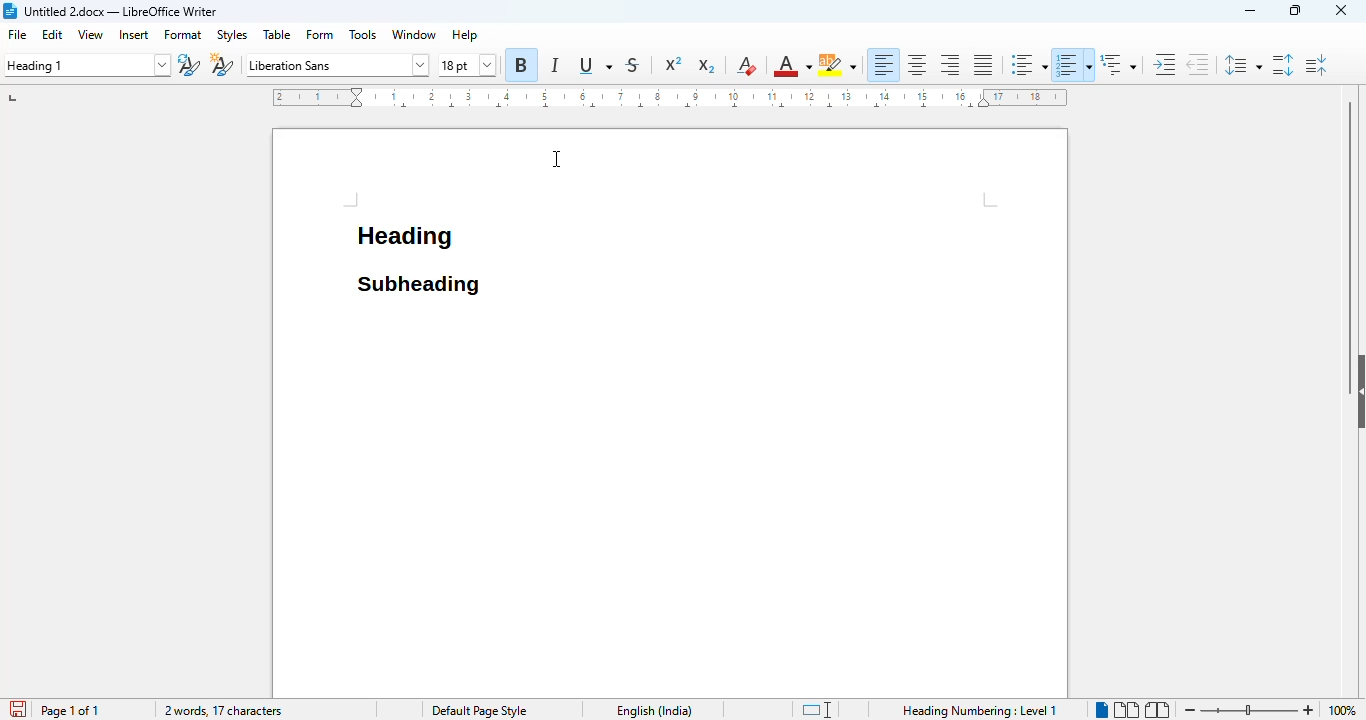 This screenshot has width=1366, height=720. What do you see at coordinates (521, 64) in the screenshot?
I see `Bold selected` at bounding box center [521, 64].